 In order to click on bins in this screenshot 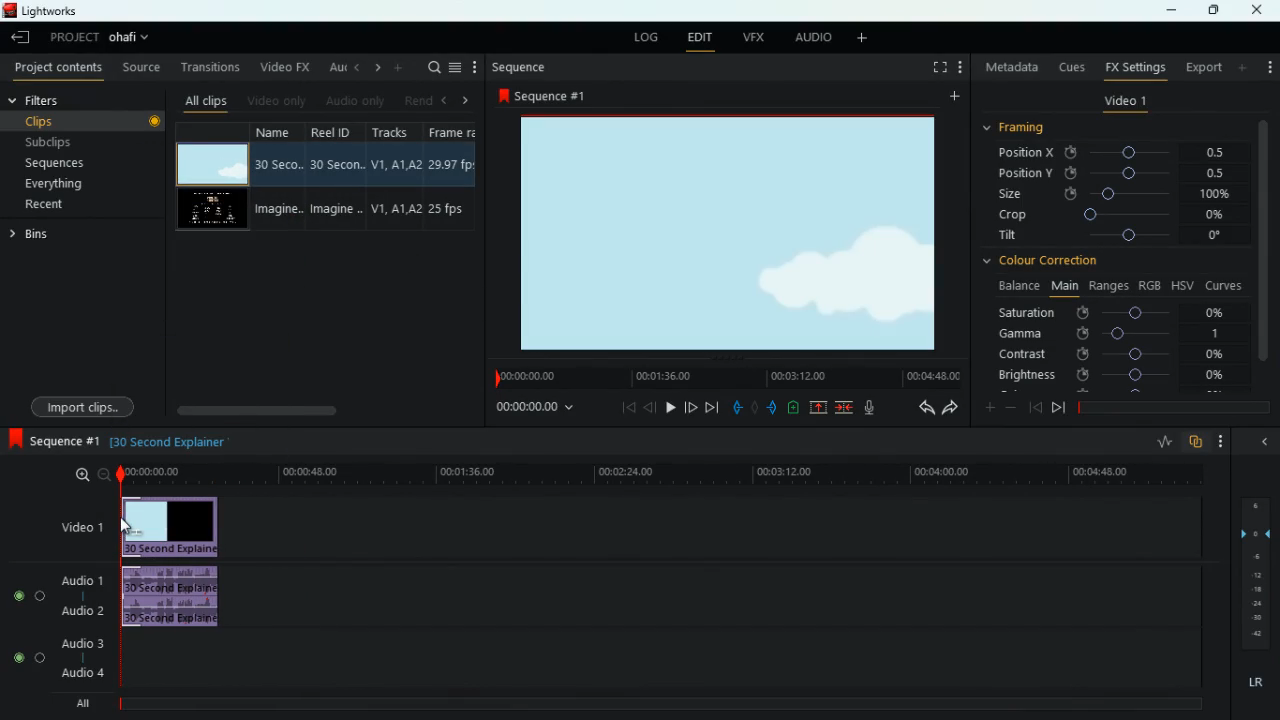, I will do `click(34, 235)`.